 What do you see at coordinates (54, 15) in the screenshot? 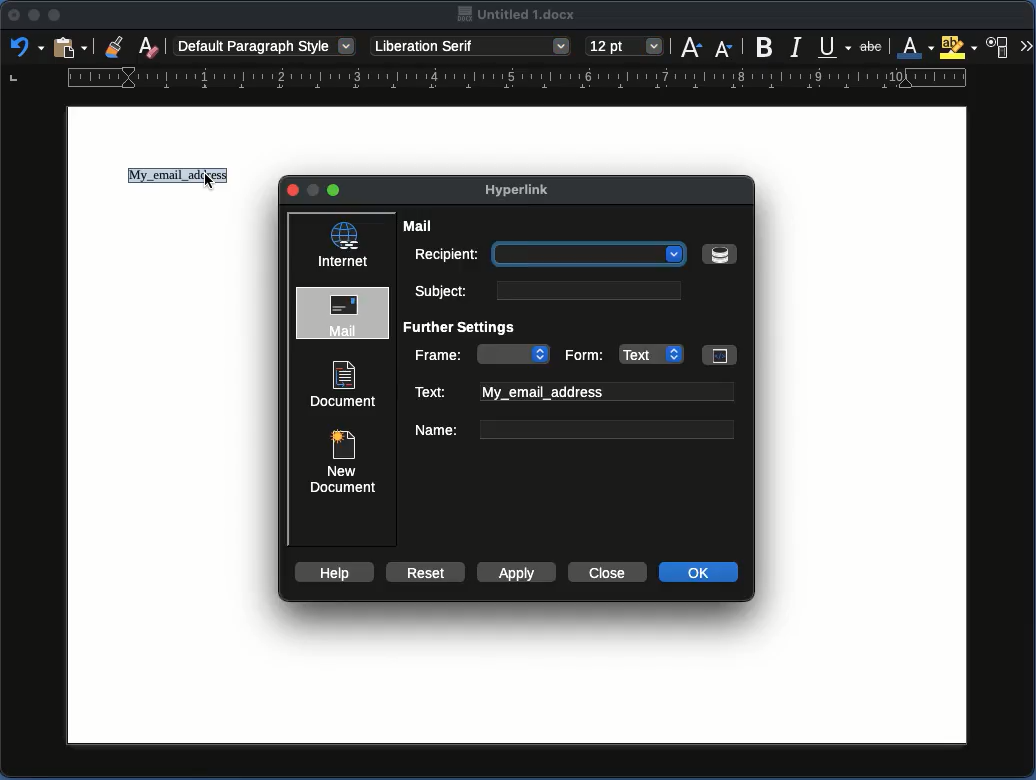
I see `Maximize` at bounding box center [54, 15].